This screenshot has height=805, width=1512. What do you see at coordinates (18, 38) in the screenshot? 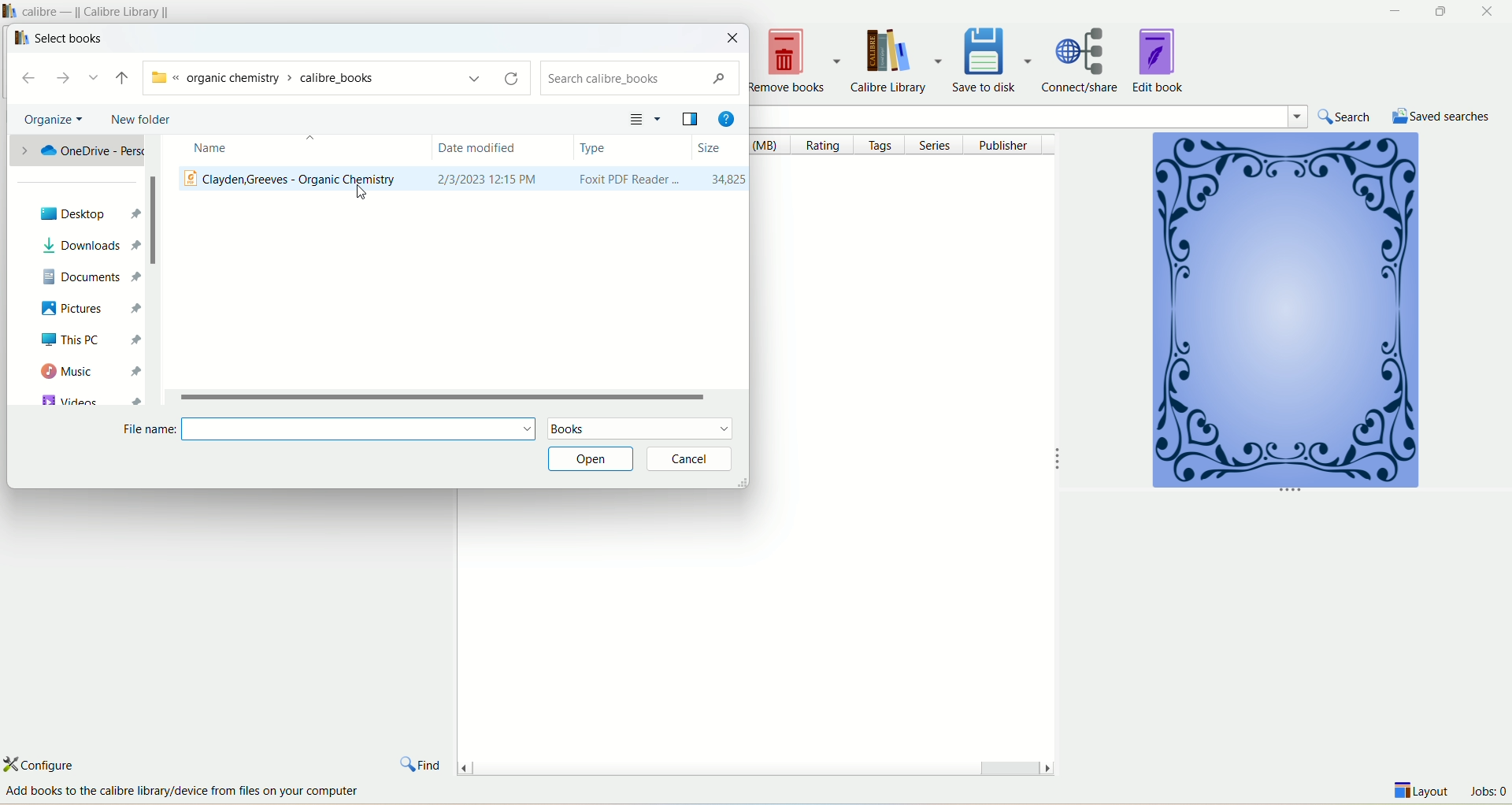
I see `logo` at bounding box center [18, 38].